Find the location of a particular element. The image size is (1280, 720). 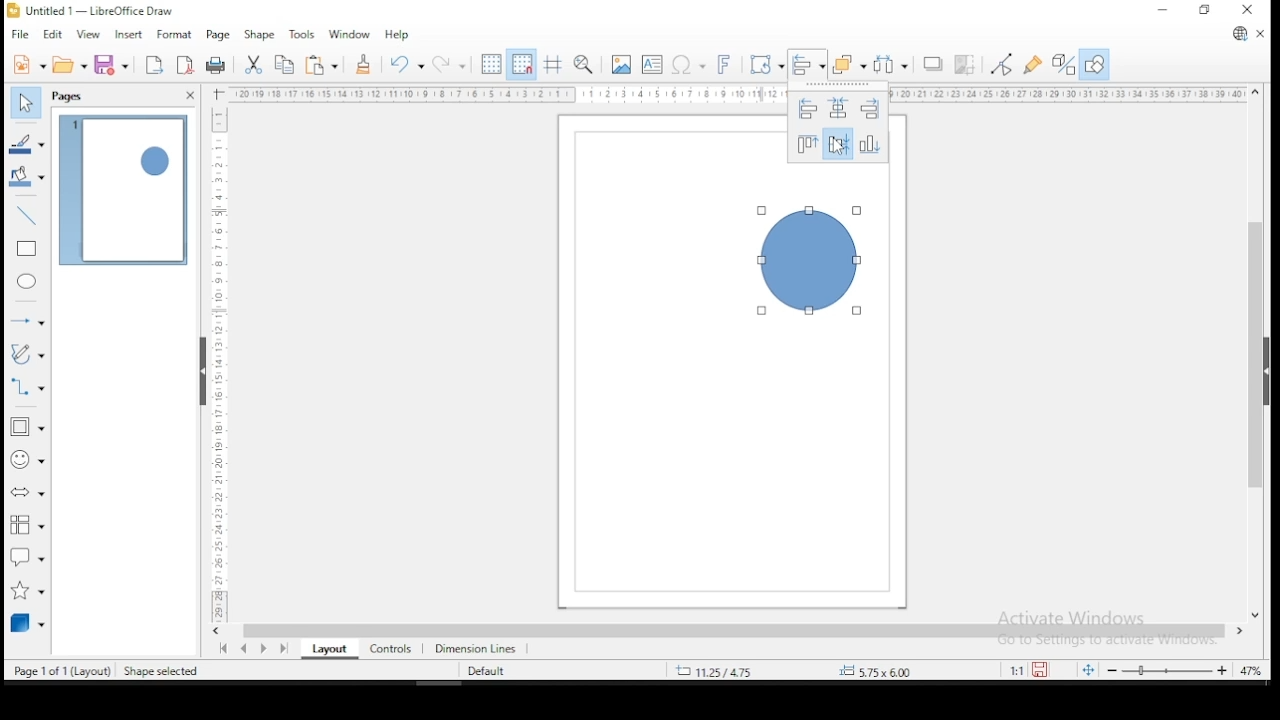

insert text box is located at coordinates (652, 64).